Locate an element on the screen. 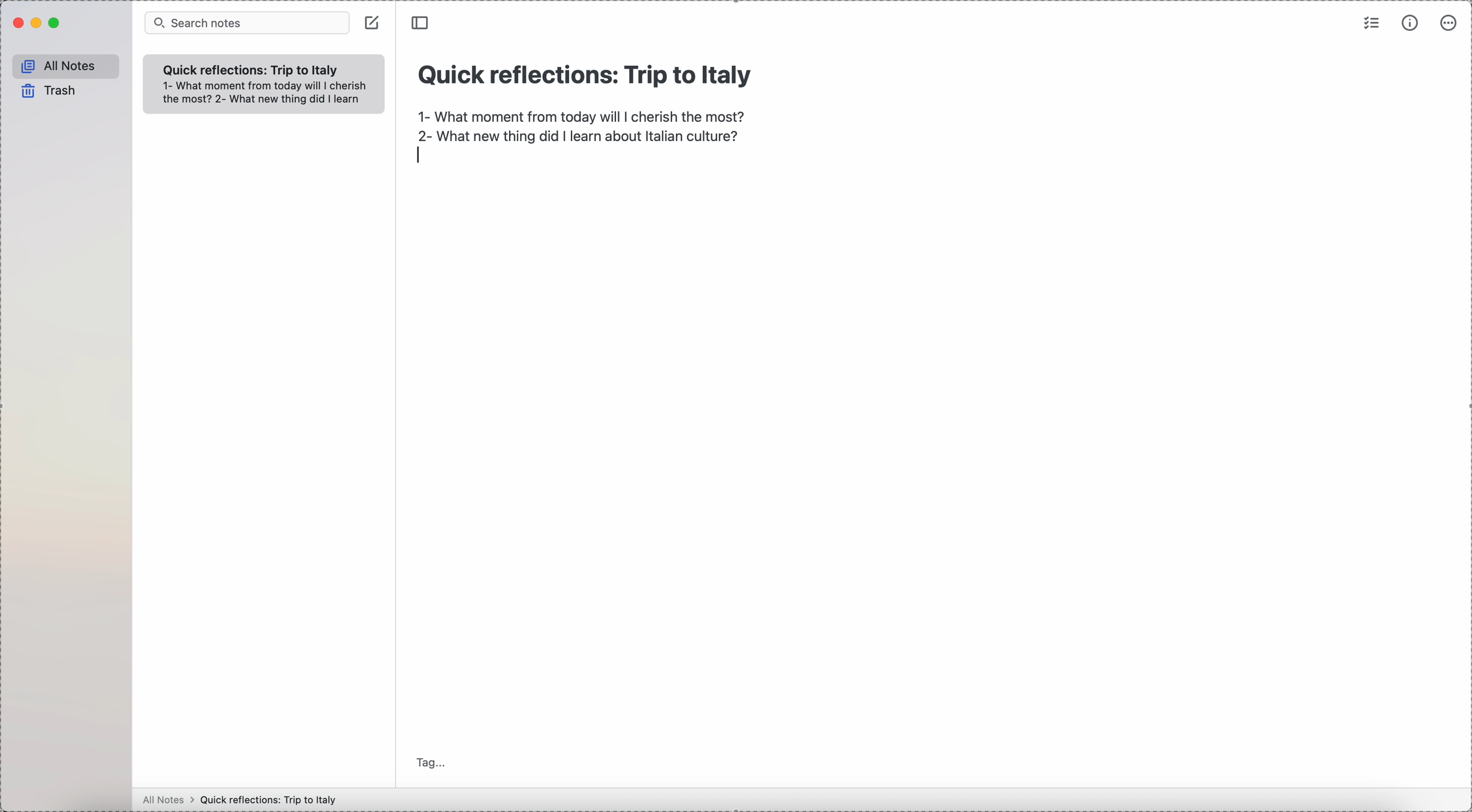  2- What new thing did I learn about Italian culture? is located at coordinates (579, 135).